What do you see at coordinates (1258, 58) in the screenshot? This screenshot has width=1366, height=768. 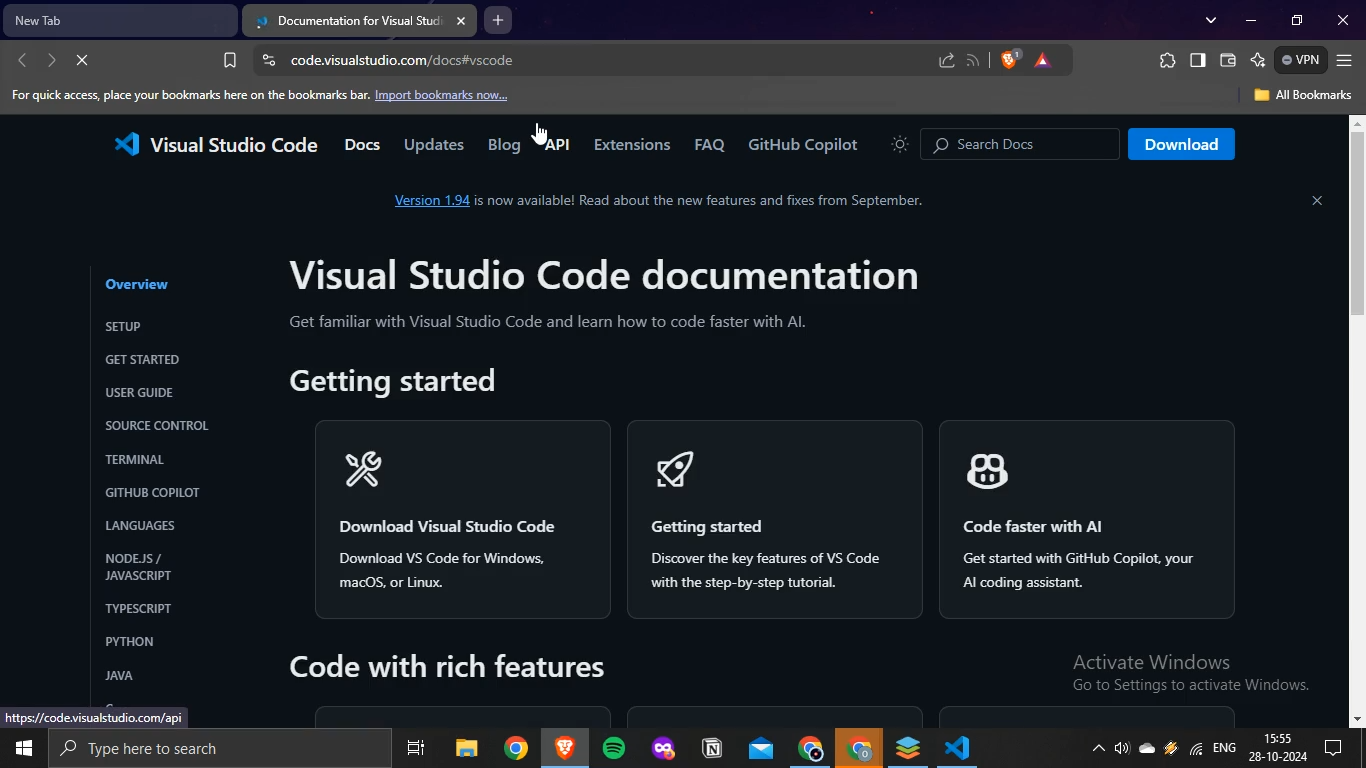 I see `leo ai` at bounding box center [1258, 58].